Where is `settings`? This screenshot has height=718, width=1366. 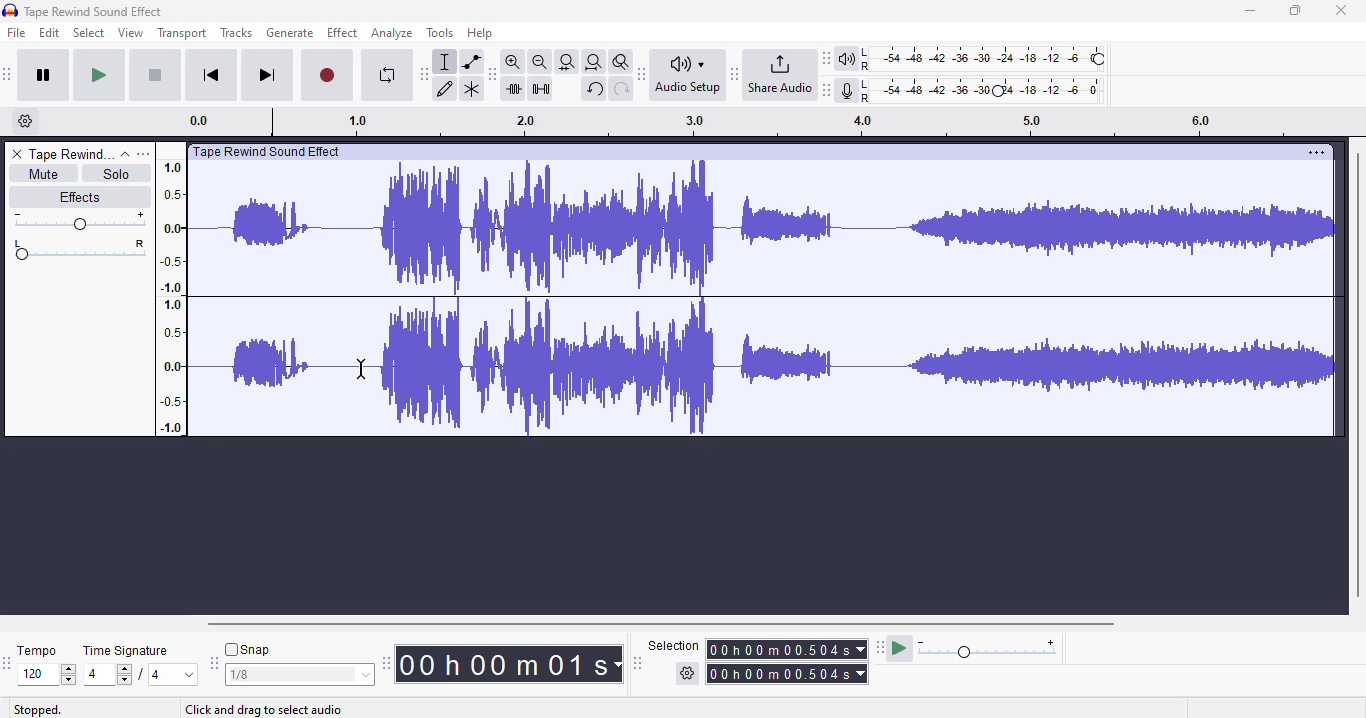 settings is located at coordinates (1316, 153).